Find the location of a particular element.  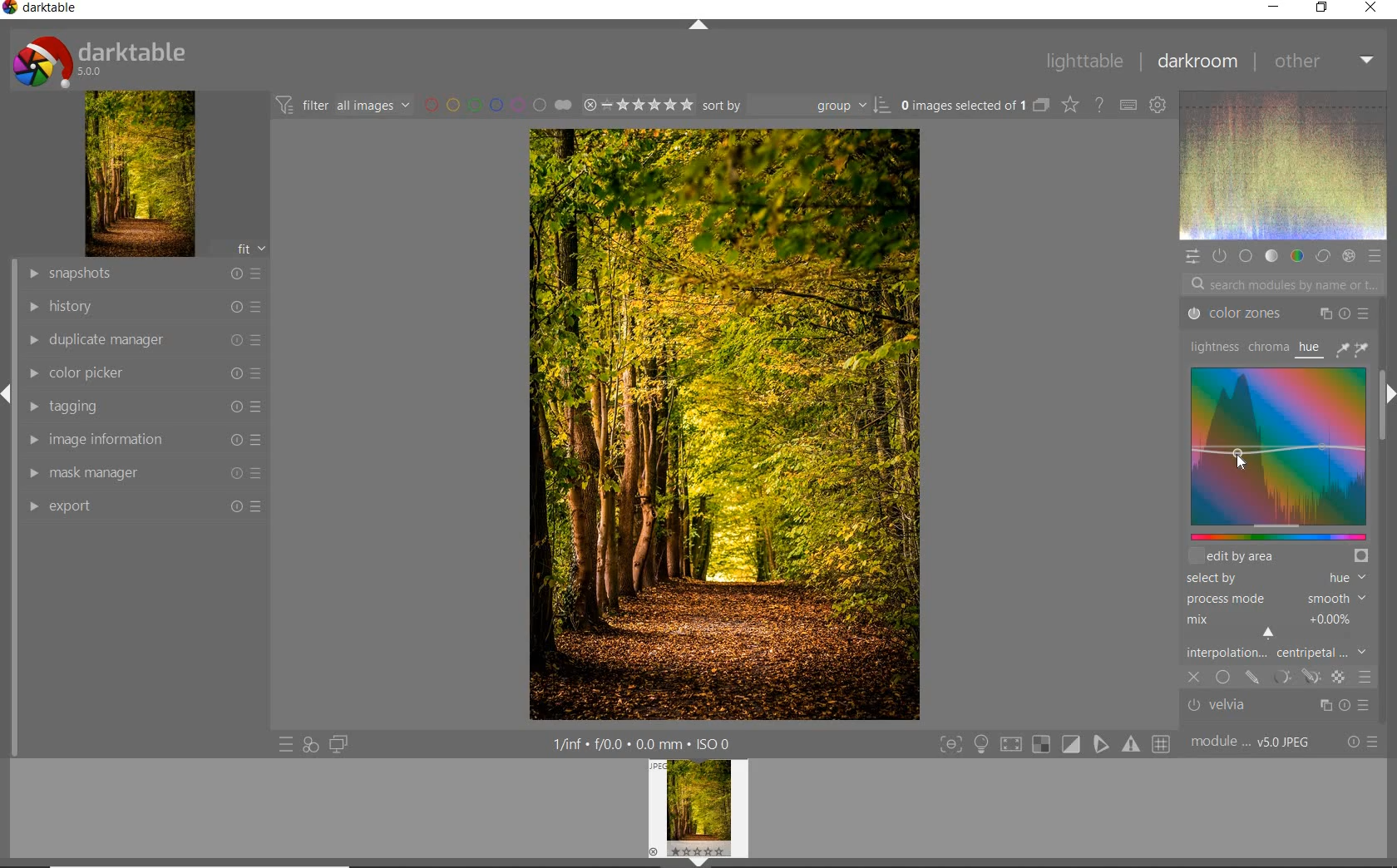

SEARCH MODULES is located at coordinates (1283, 284).